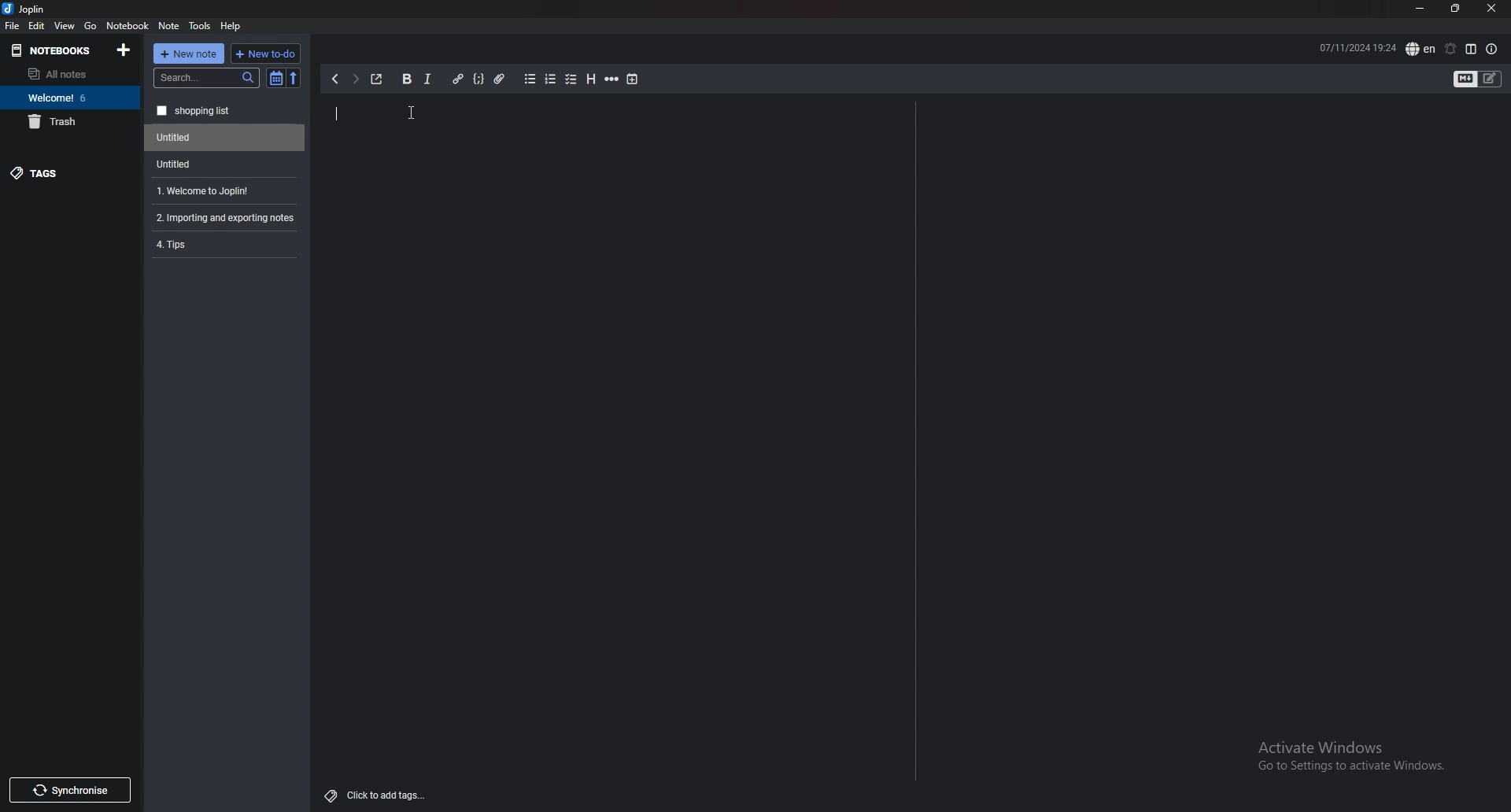  I want to click on spell check, so click(1420, 49).